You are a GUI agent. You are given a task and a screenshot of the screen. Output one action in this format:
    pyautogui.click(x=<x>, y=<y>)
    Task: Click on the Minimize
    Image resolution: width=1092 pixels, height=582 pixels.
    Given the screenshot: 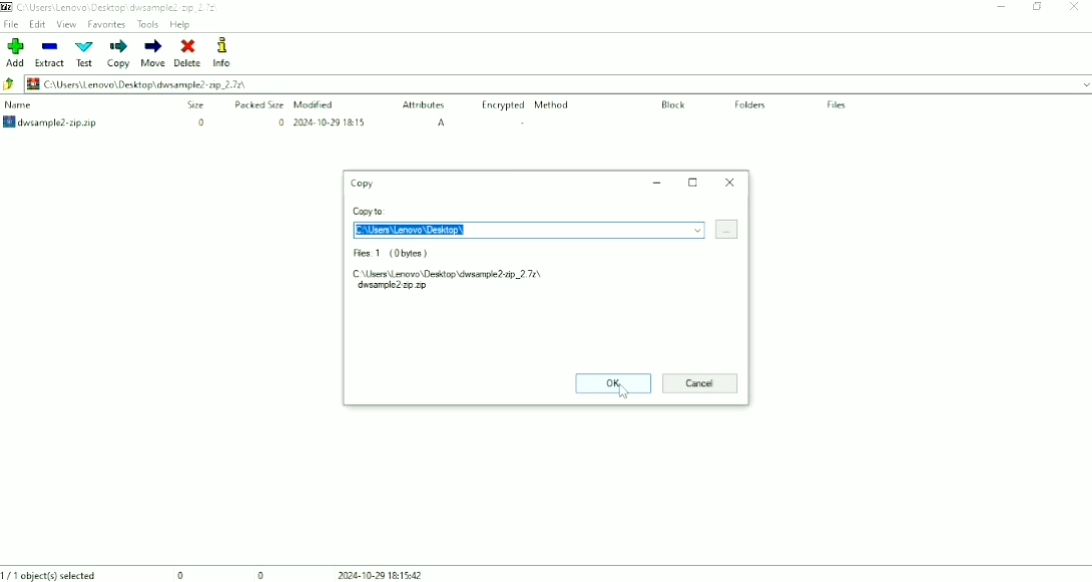 What is the action you would take?
    pyautogui.click(x=1003, y=6)
    